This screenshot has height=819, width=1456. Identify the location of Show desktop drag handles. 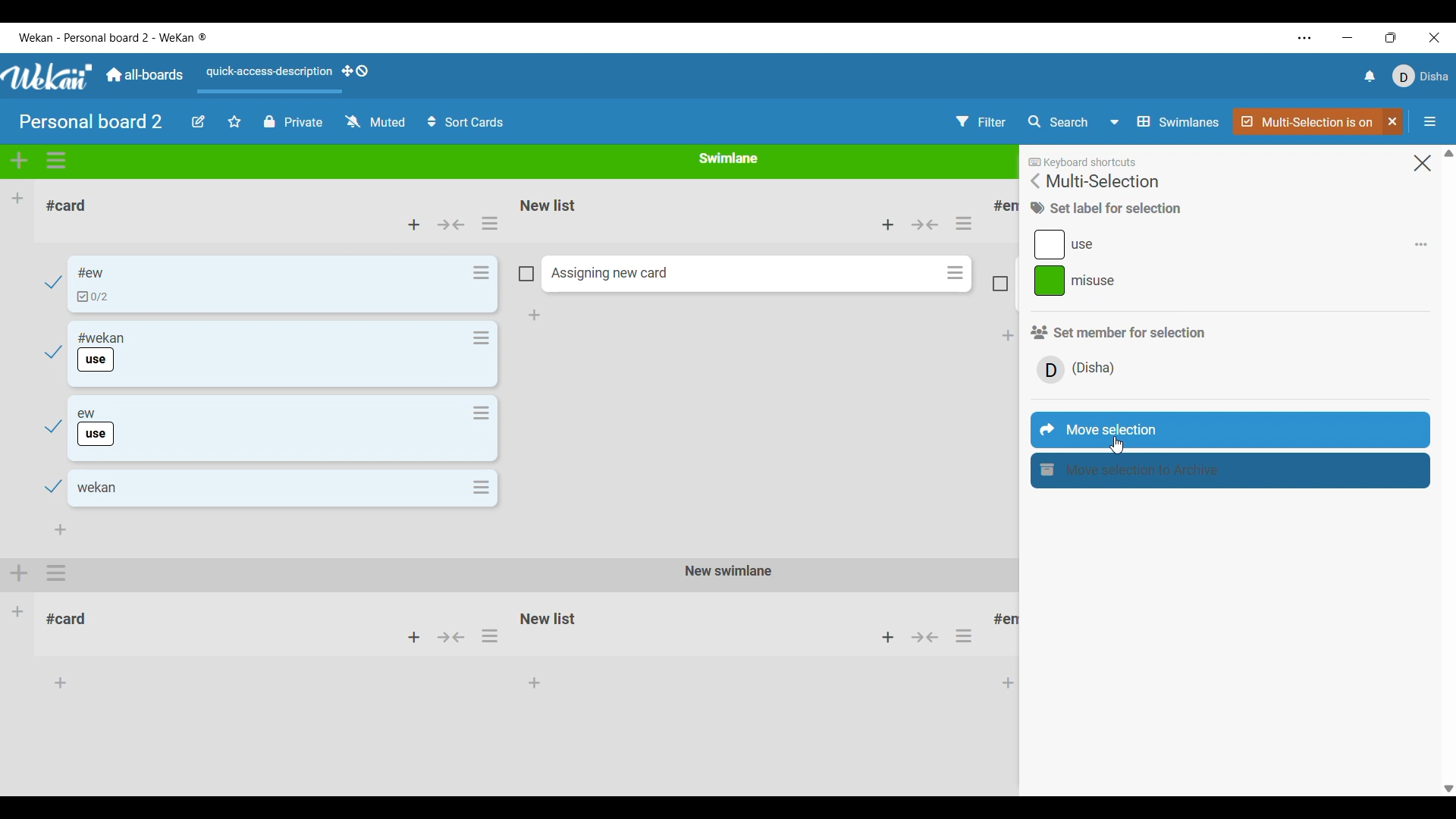
(355, 71).